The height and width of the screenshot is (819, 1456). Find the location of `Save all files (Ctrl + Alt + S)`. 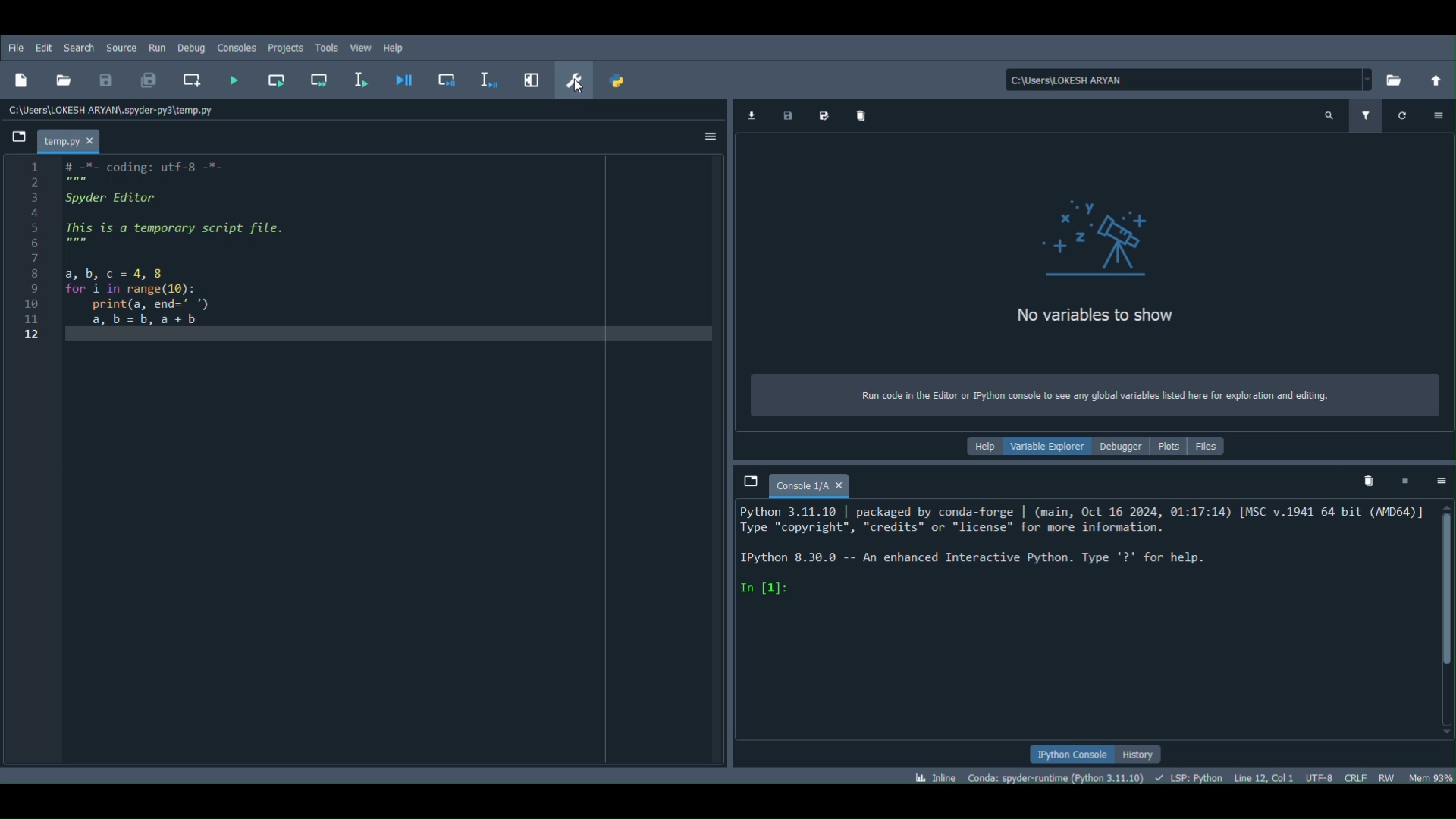

Save all files (Ctrl + Alt + S) is located at coordinates (149, 77).